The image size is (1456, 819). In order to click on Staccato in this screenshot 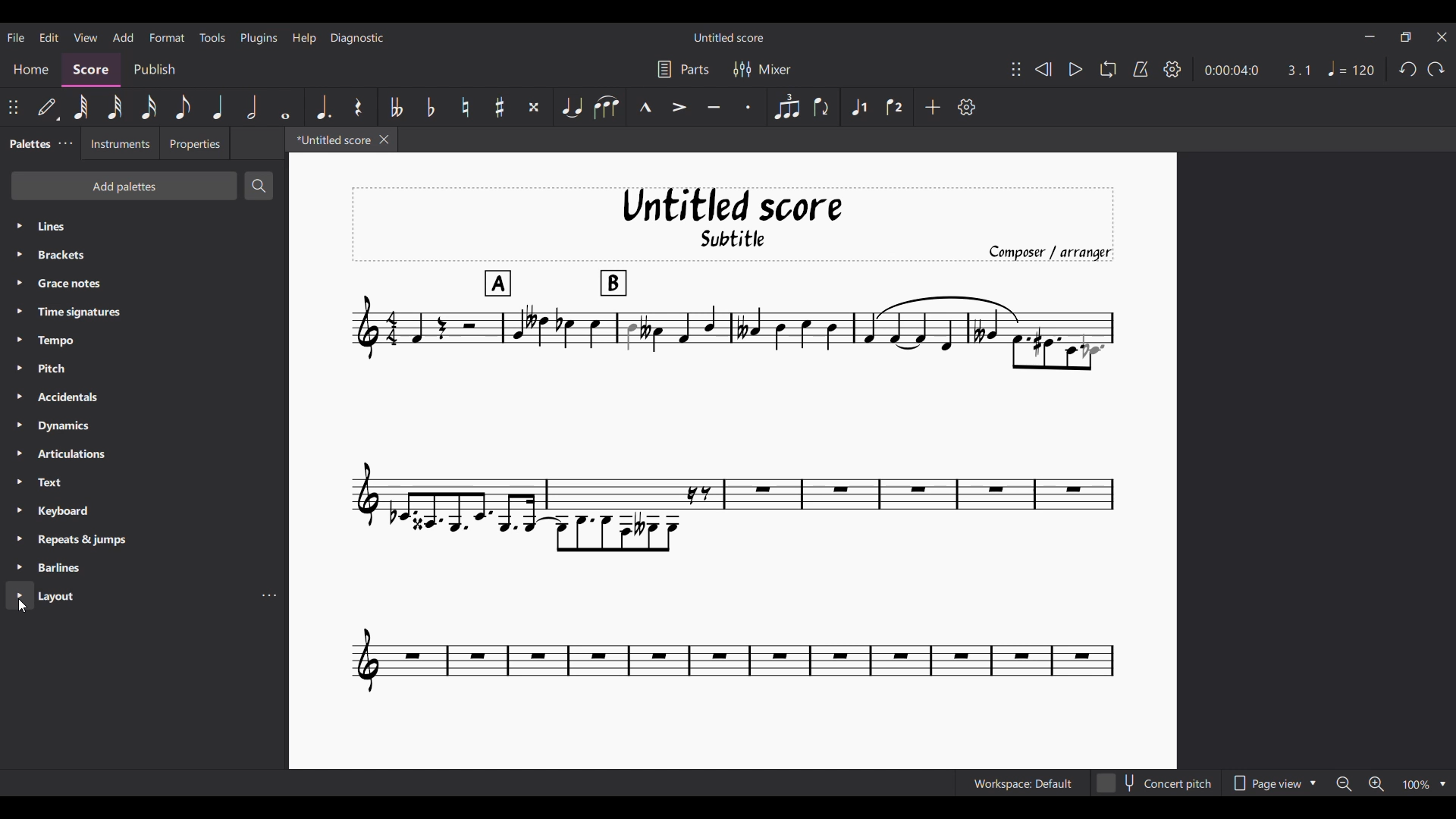, I will do `click(748, 107)`.